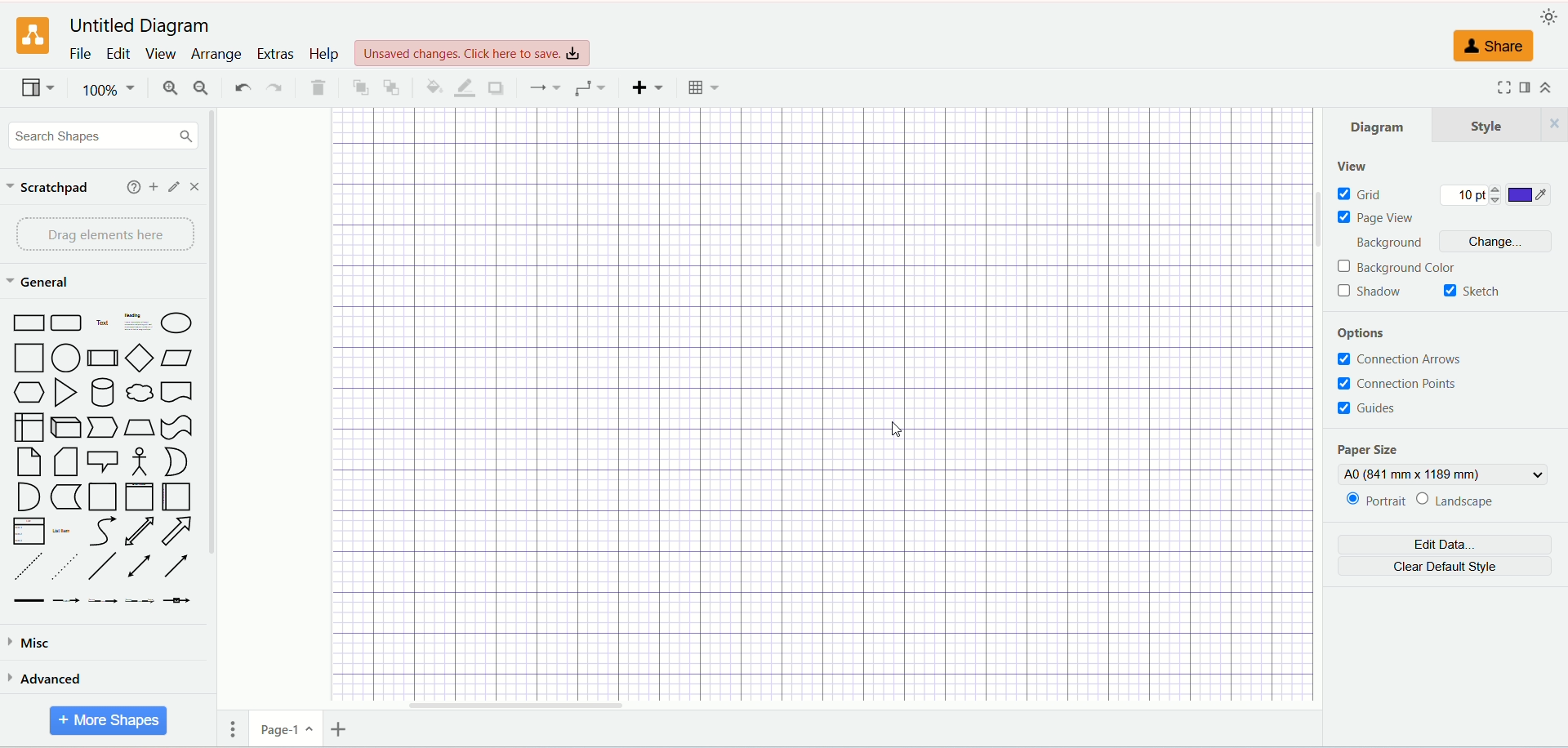 The height and width of the screenshot is (748, 1568). Describe the element at coordinates (494, 87) in the screenshot. I see `shadow` at that location.